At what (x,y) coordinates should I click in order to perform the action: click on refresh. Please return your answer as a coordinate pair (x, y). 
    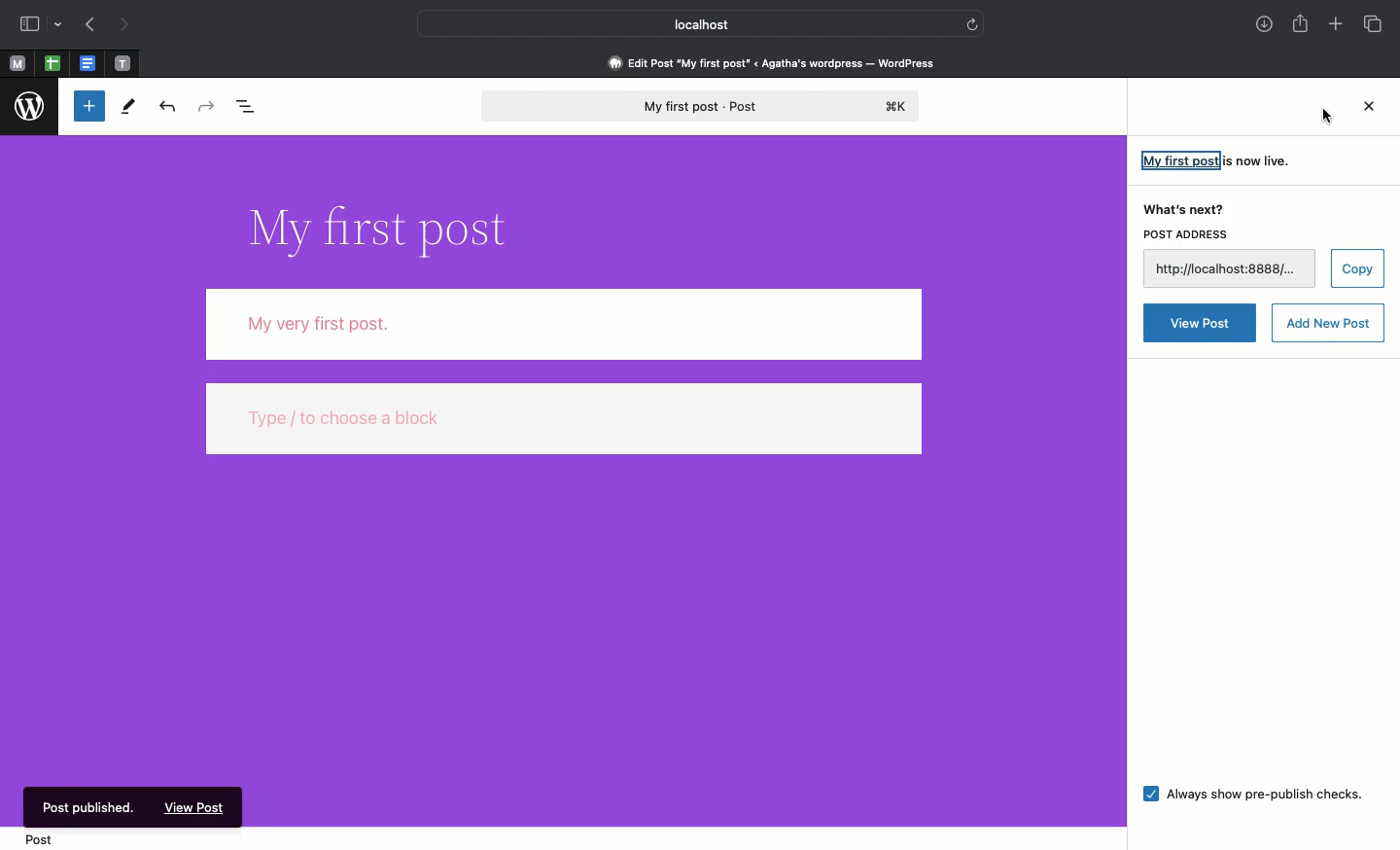
    Looking at the image, I should click on (974, 23).